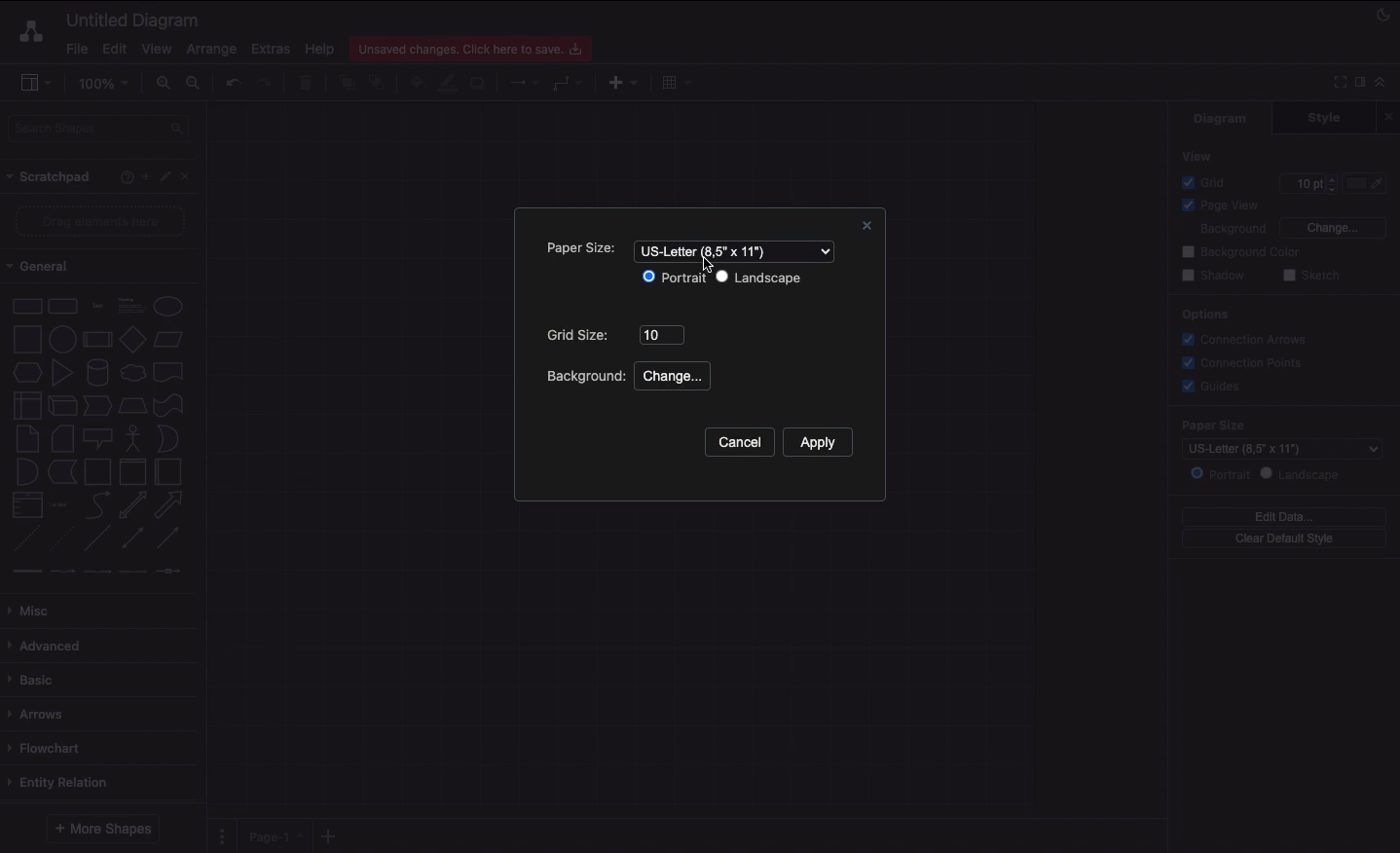  I want to click on Paper size, so click(1278, 425).